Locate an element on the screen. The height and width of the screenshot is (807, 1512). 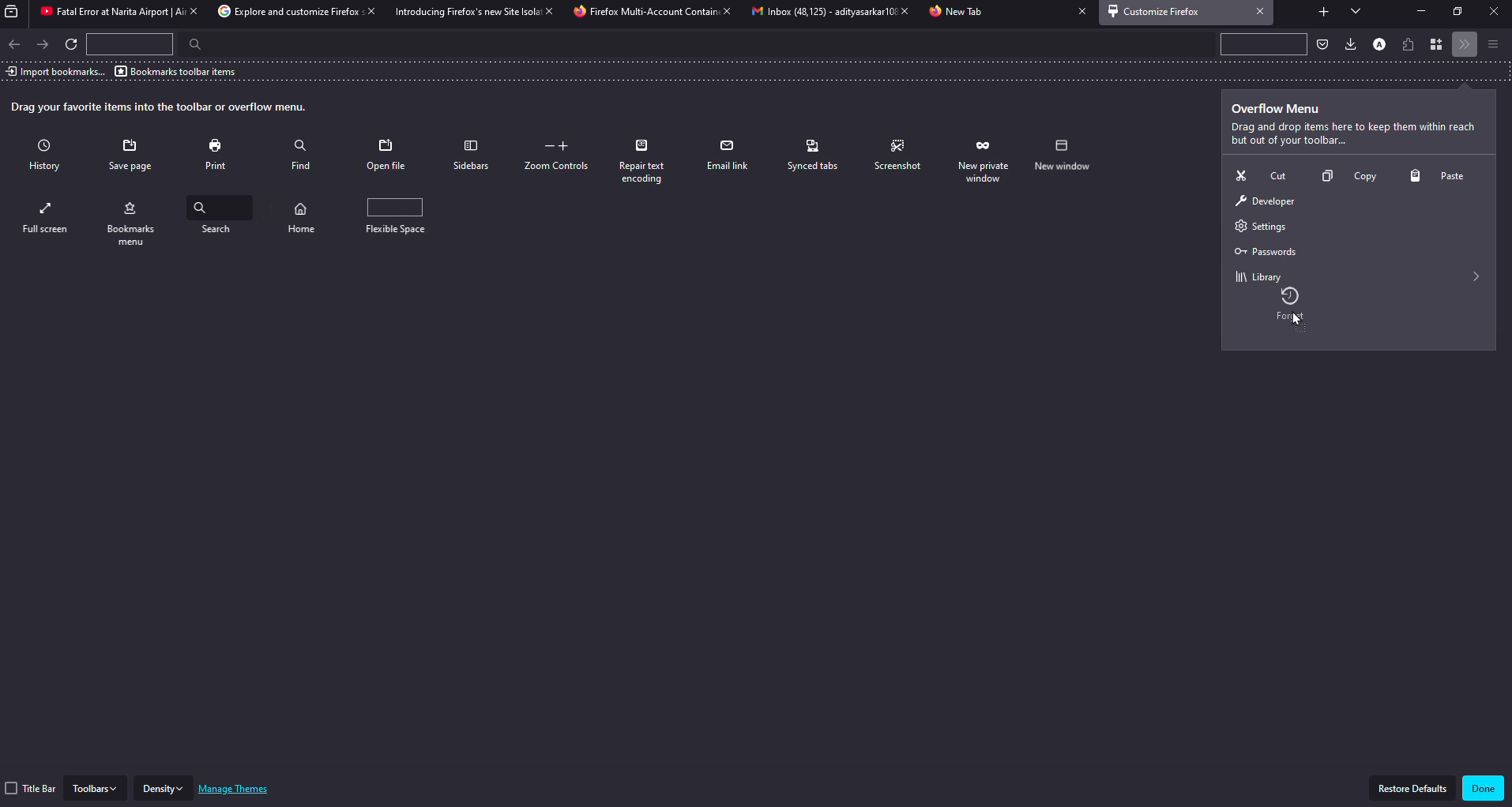
bookmarks menu is located at coordinates (219, 220).